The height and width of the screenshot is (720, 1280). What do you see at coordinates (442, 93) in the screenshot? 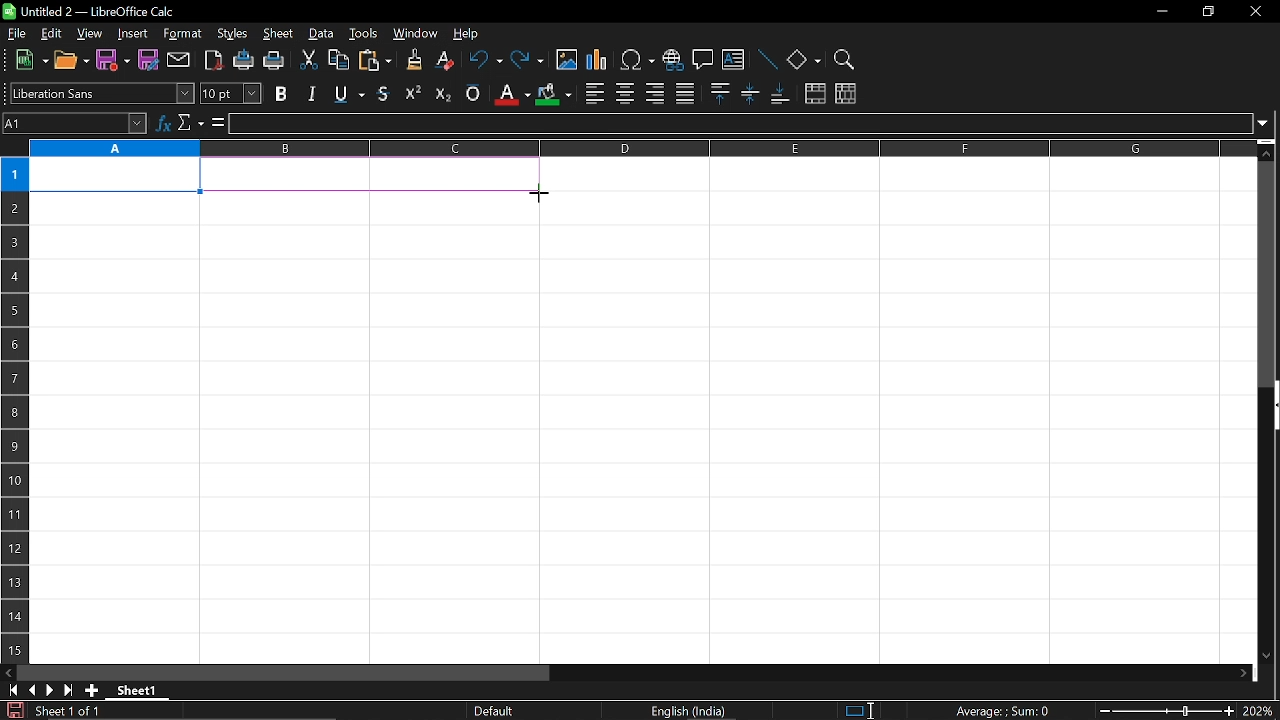
I see `subscript` at bounding box center [442, 93].